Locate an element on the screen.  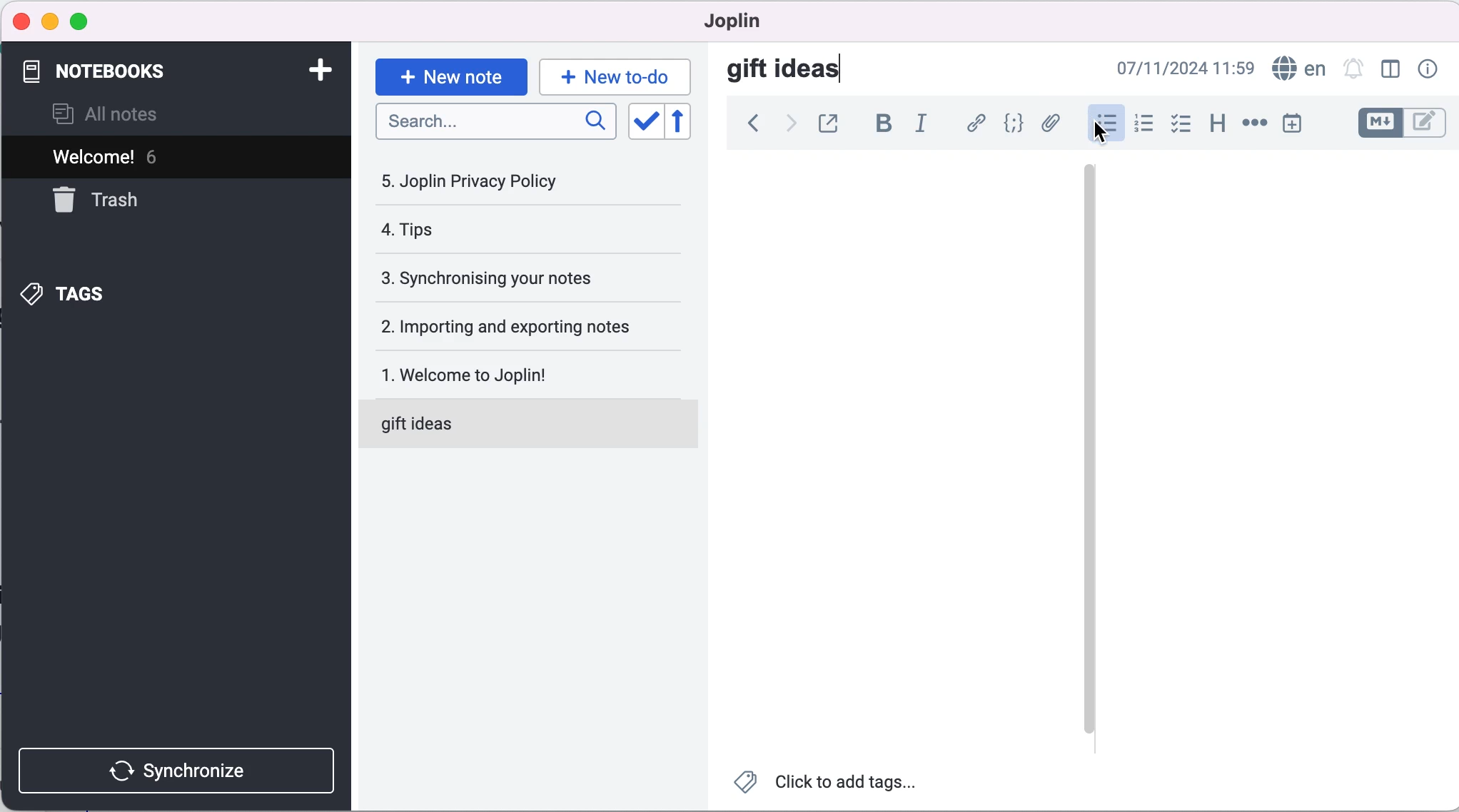
add file is located at coordinates (1052, 124).